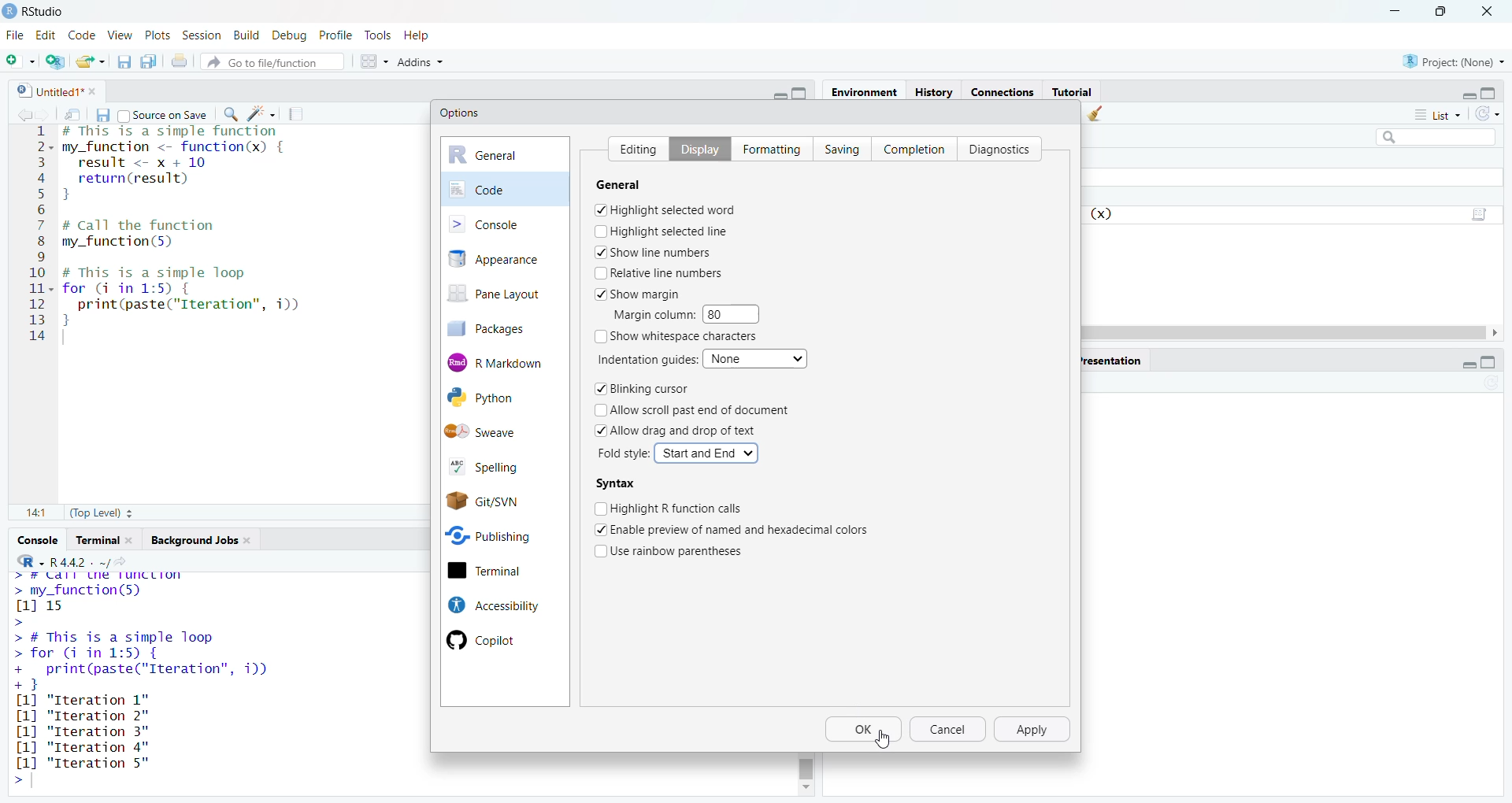 This screenshot has height=803, width=1512. I want to click on Accessibility, so click(491, 605).